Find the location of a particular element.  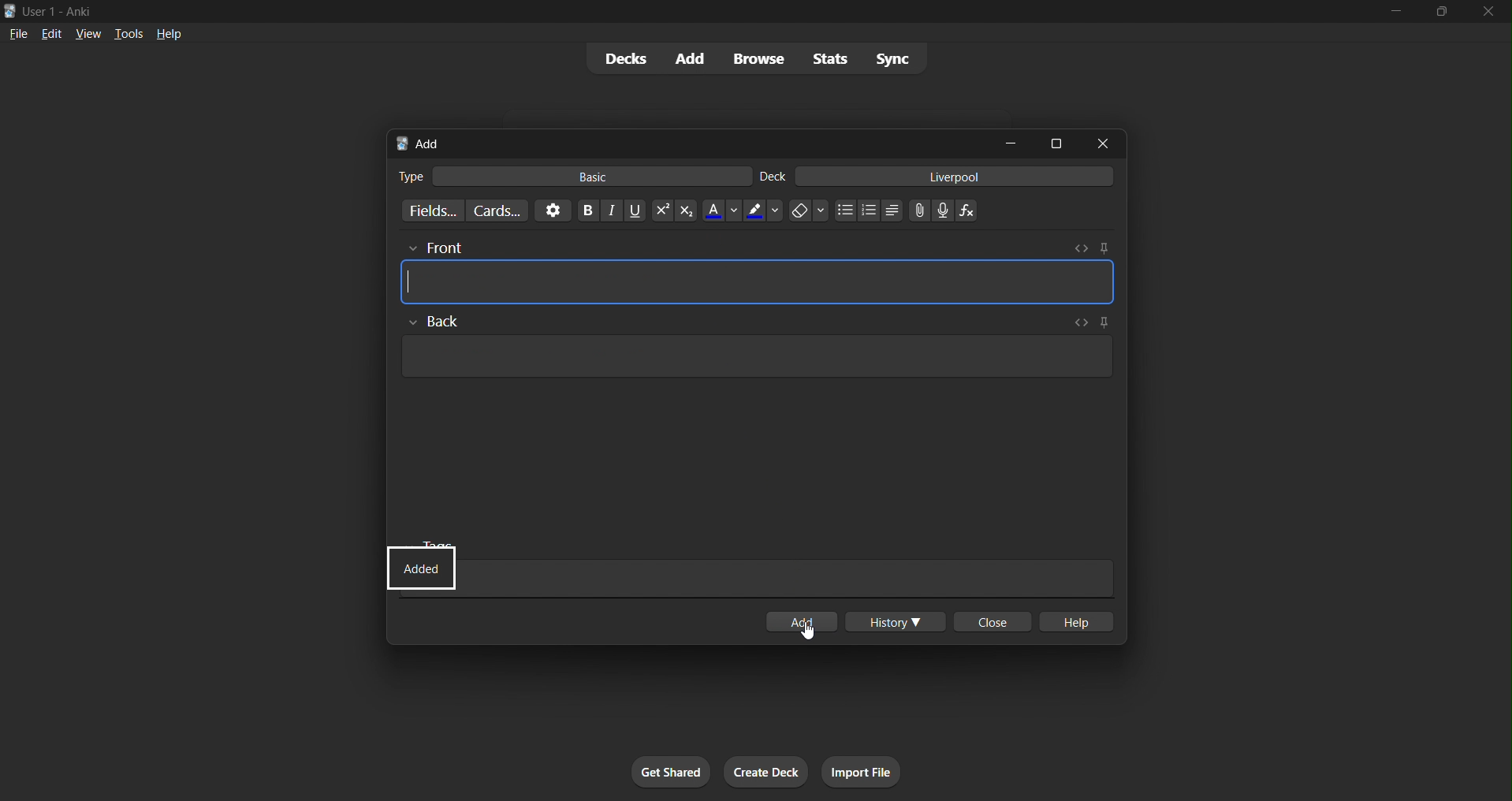

maximize/restore is located at coordinates (1447, 12).